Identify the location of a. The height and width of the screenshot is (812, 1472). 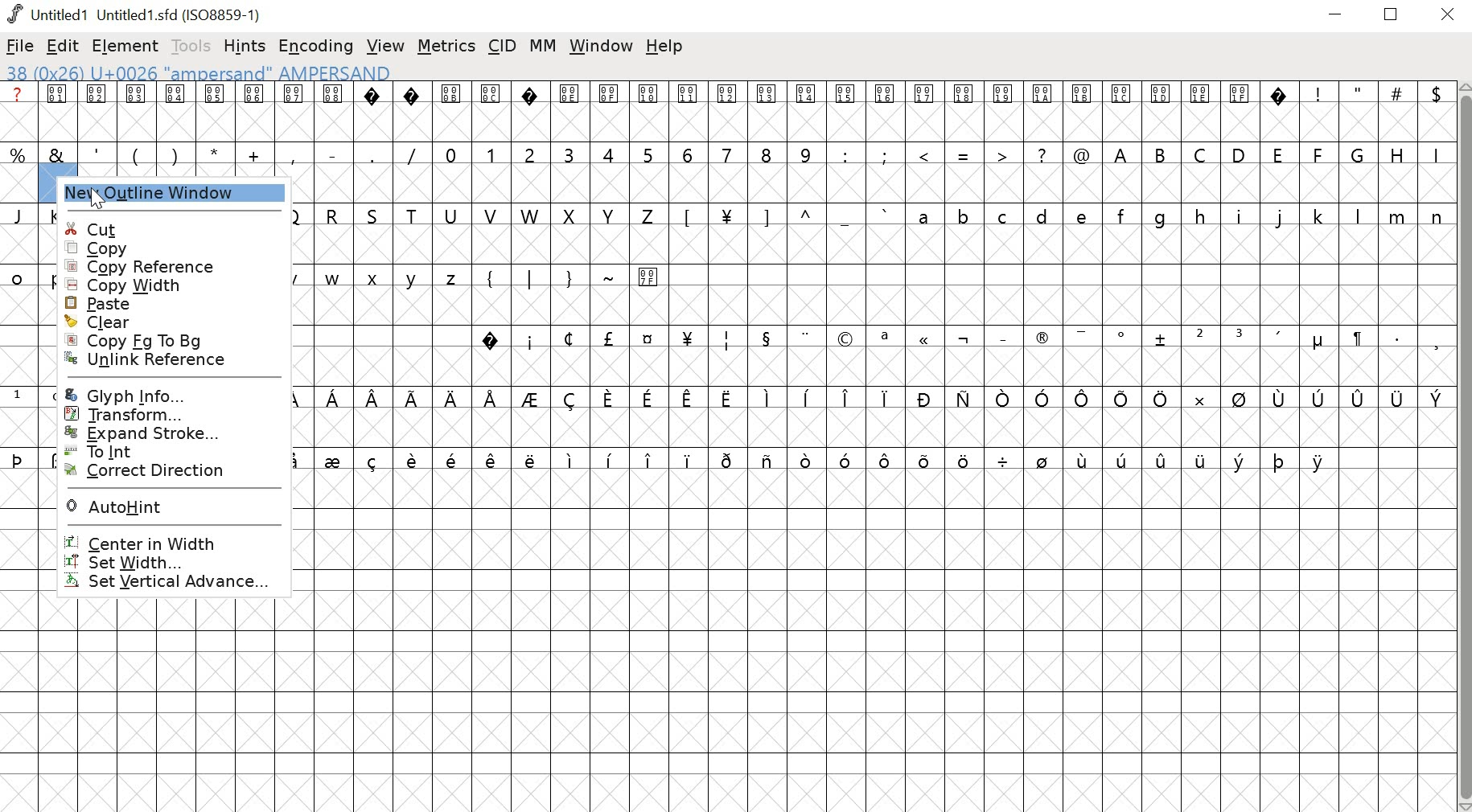
(926, 215).